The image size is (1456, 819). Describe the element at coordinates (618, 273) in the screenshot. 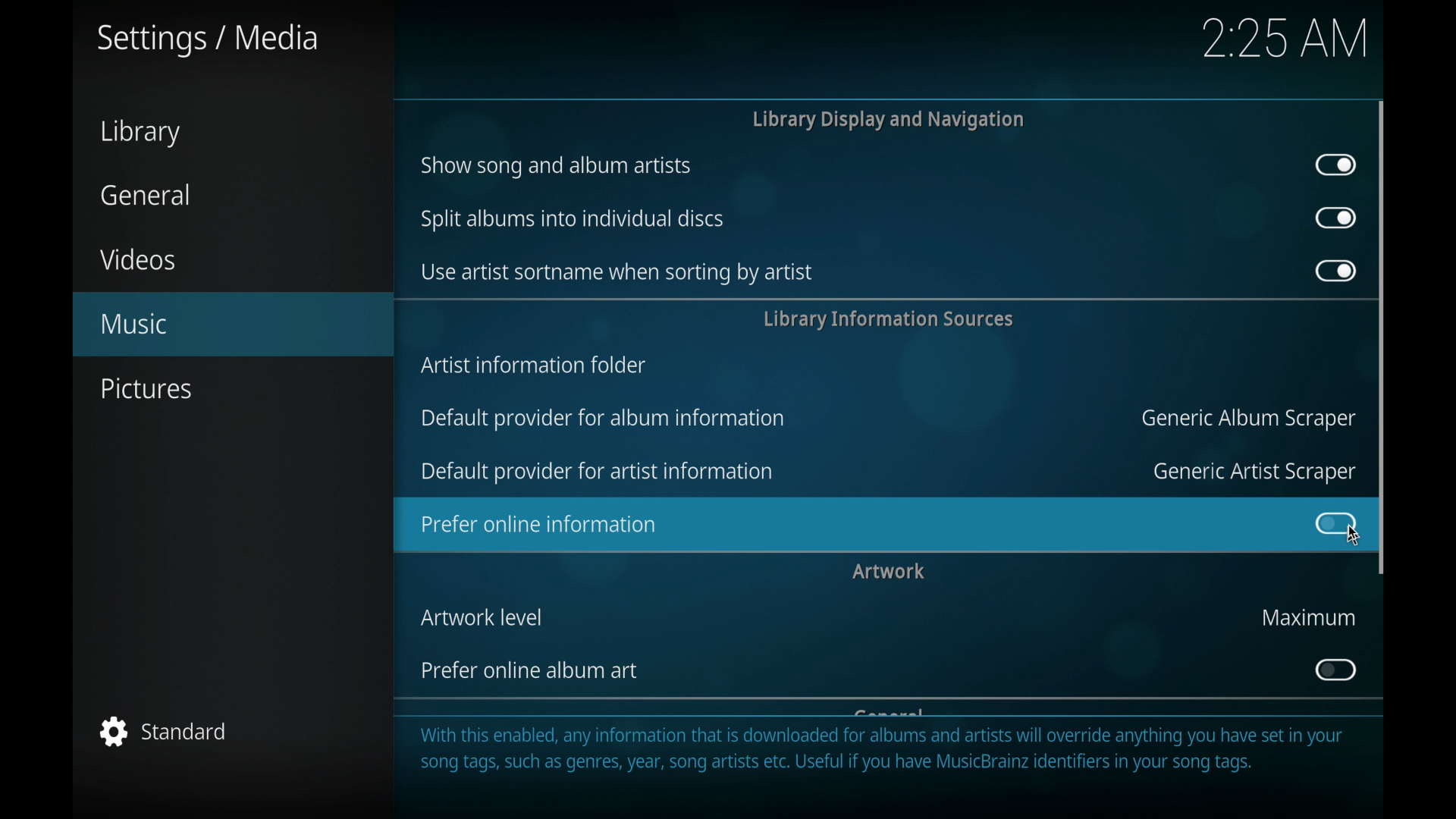

I see `use artist sort name when sorting by artist` at that location.